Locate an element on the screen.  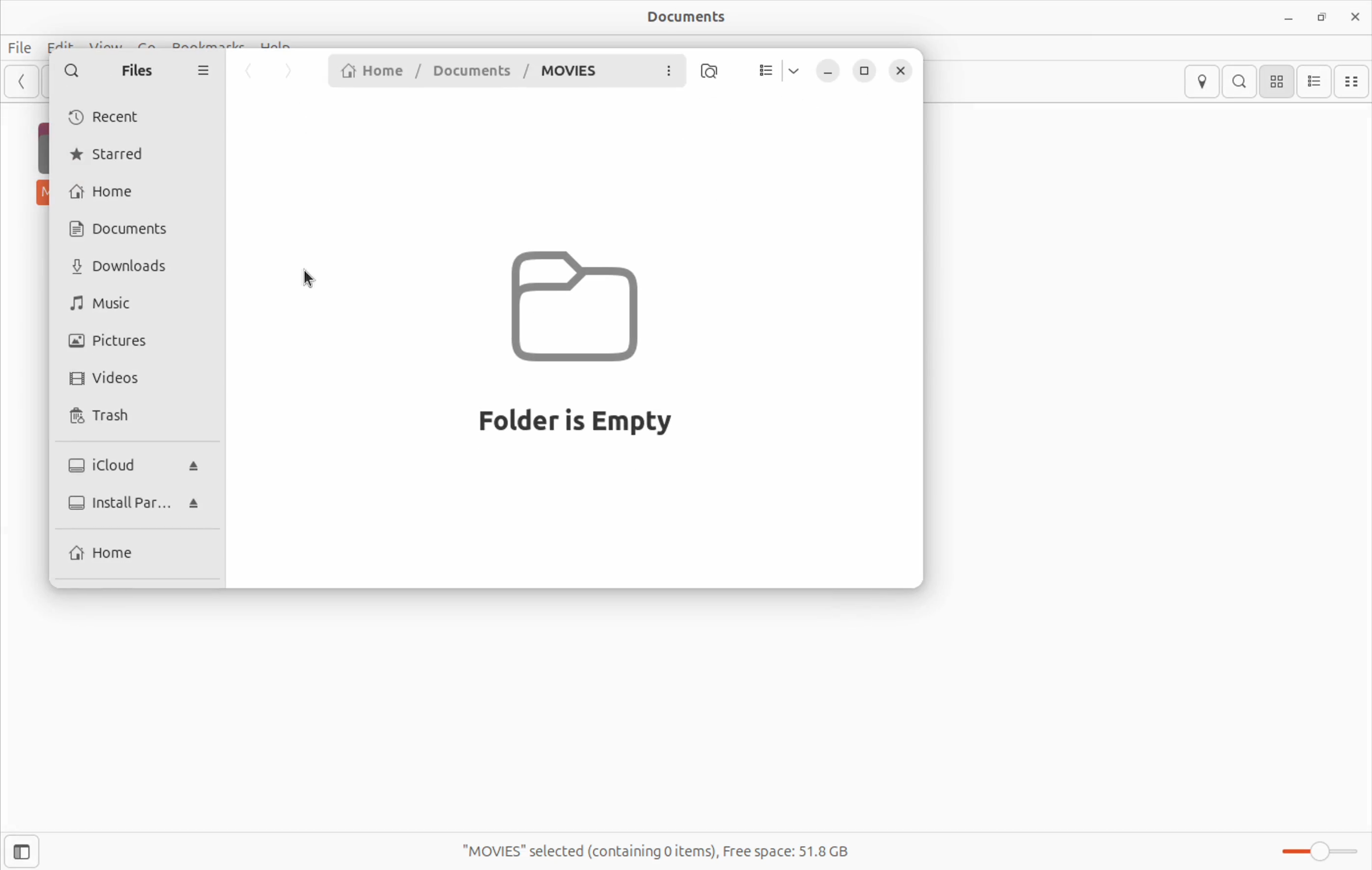
Home is located at coordinates (107, 192).